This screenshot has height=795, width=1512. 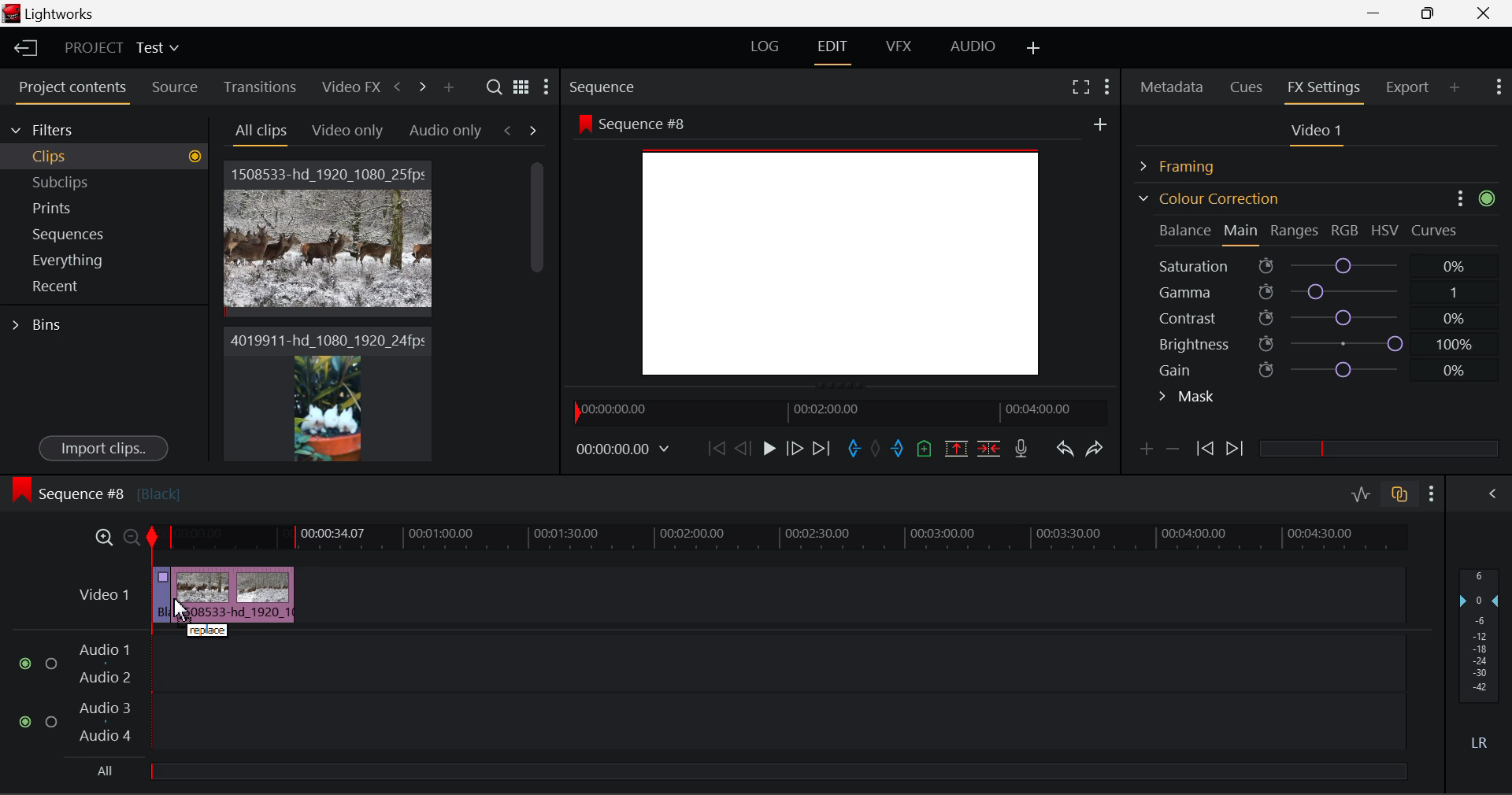 What do you see at coordinates (1080, 86) in the screenshot?
I see `Full Screen` at bounding box center [1080, 86].